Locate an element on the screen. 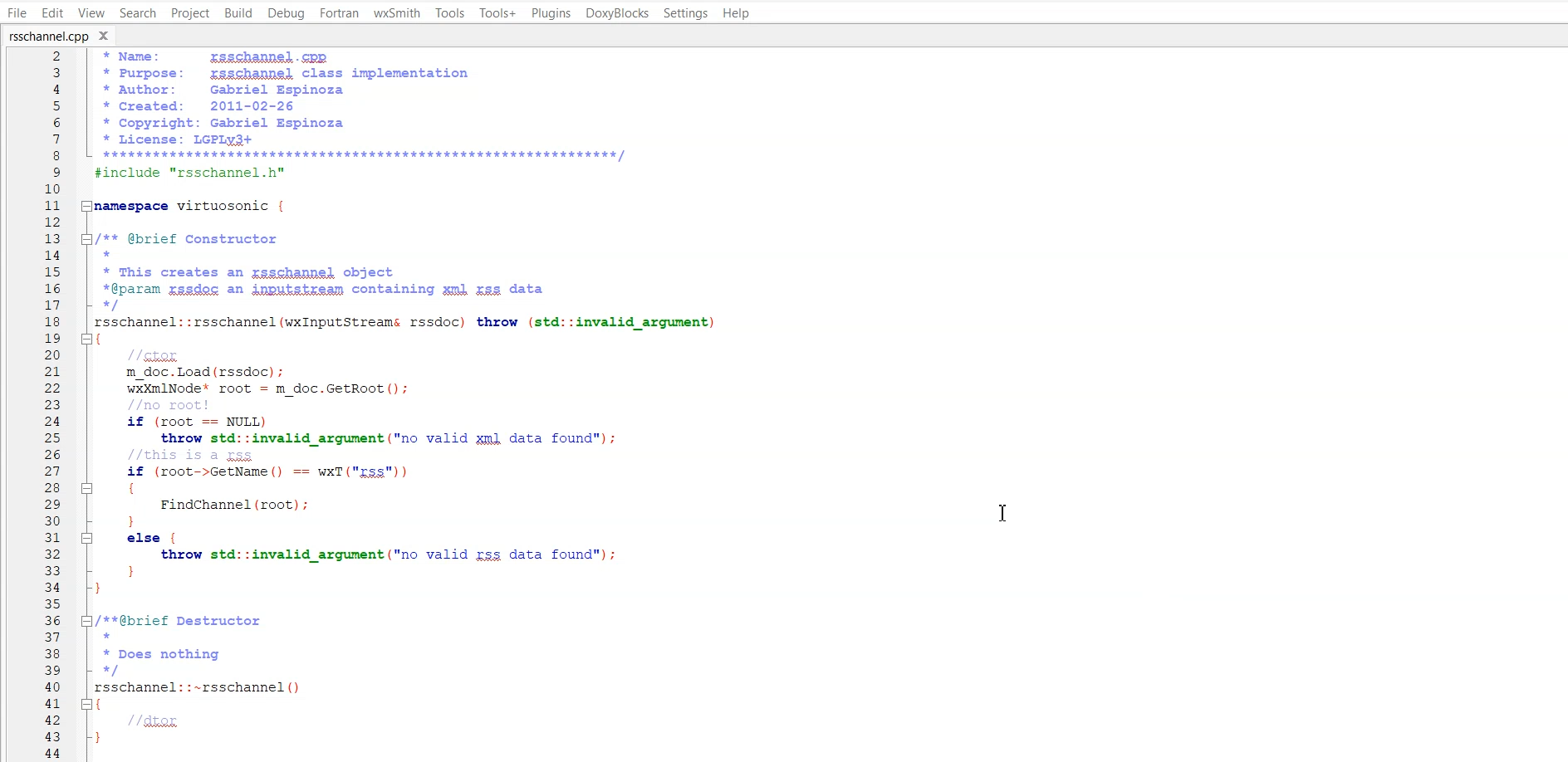  Tools is located at coordinates (451, 13).